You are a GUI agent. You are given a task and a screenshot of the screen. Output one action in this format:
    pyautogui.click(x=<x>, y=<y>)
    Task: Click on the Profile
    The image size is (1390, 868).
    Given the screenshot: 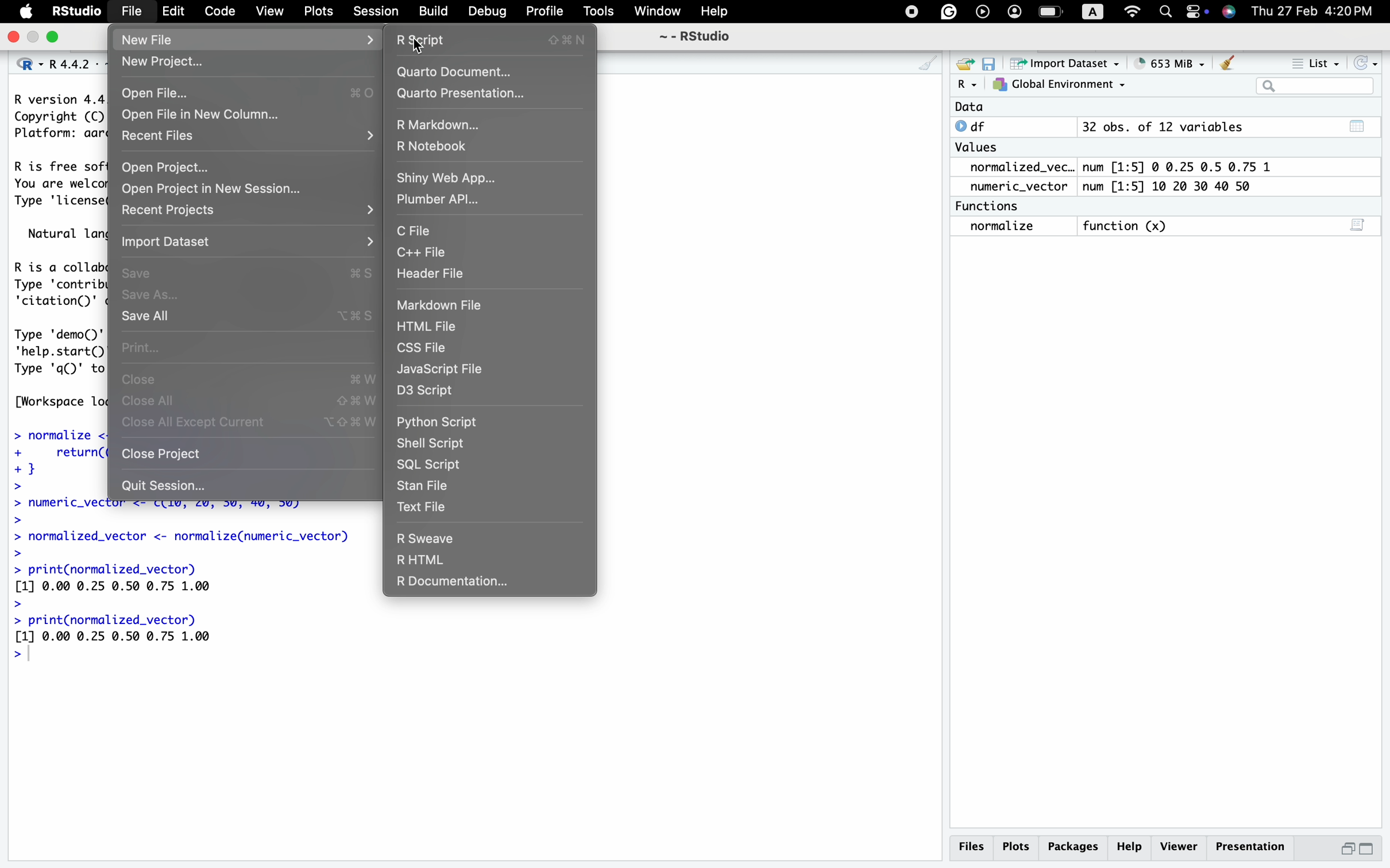 What is the action you would take?
    pyautogui.click(x=542, y=10)
    